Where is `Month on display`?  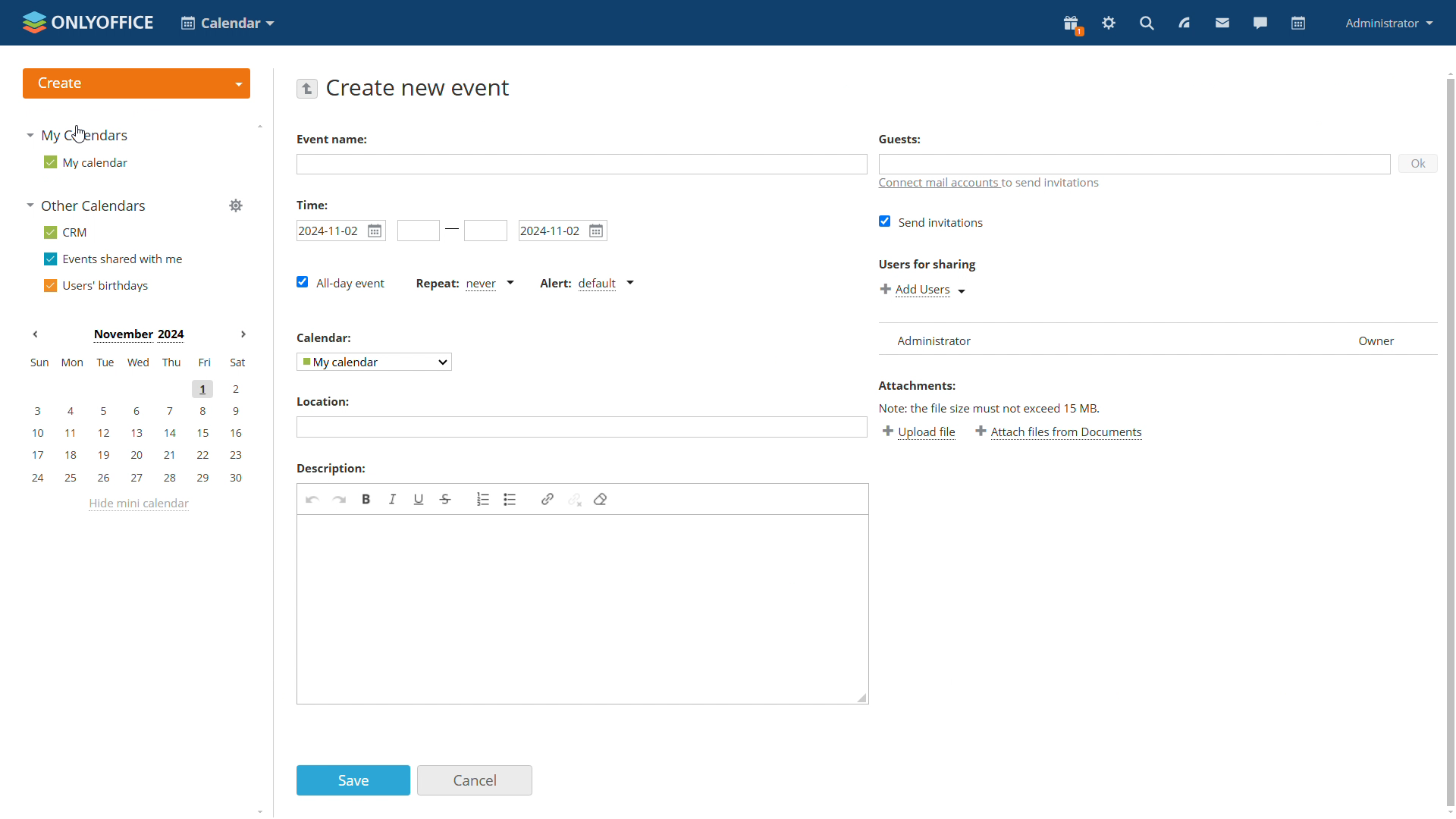
Month on display is located at coordinates (136, 336).